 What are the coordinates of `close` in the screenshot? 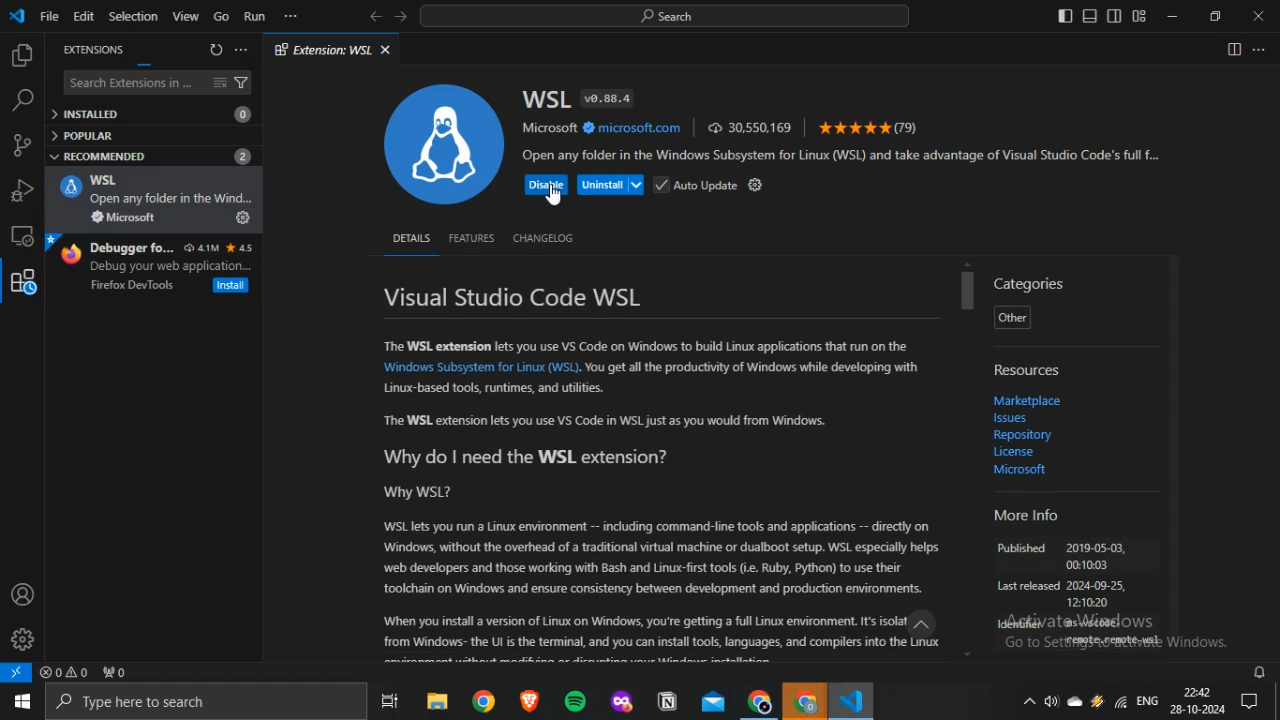 It's located at (1258, 16).